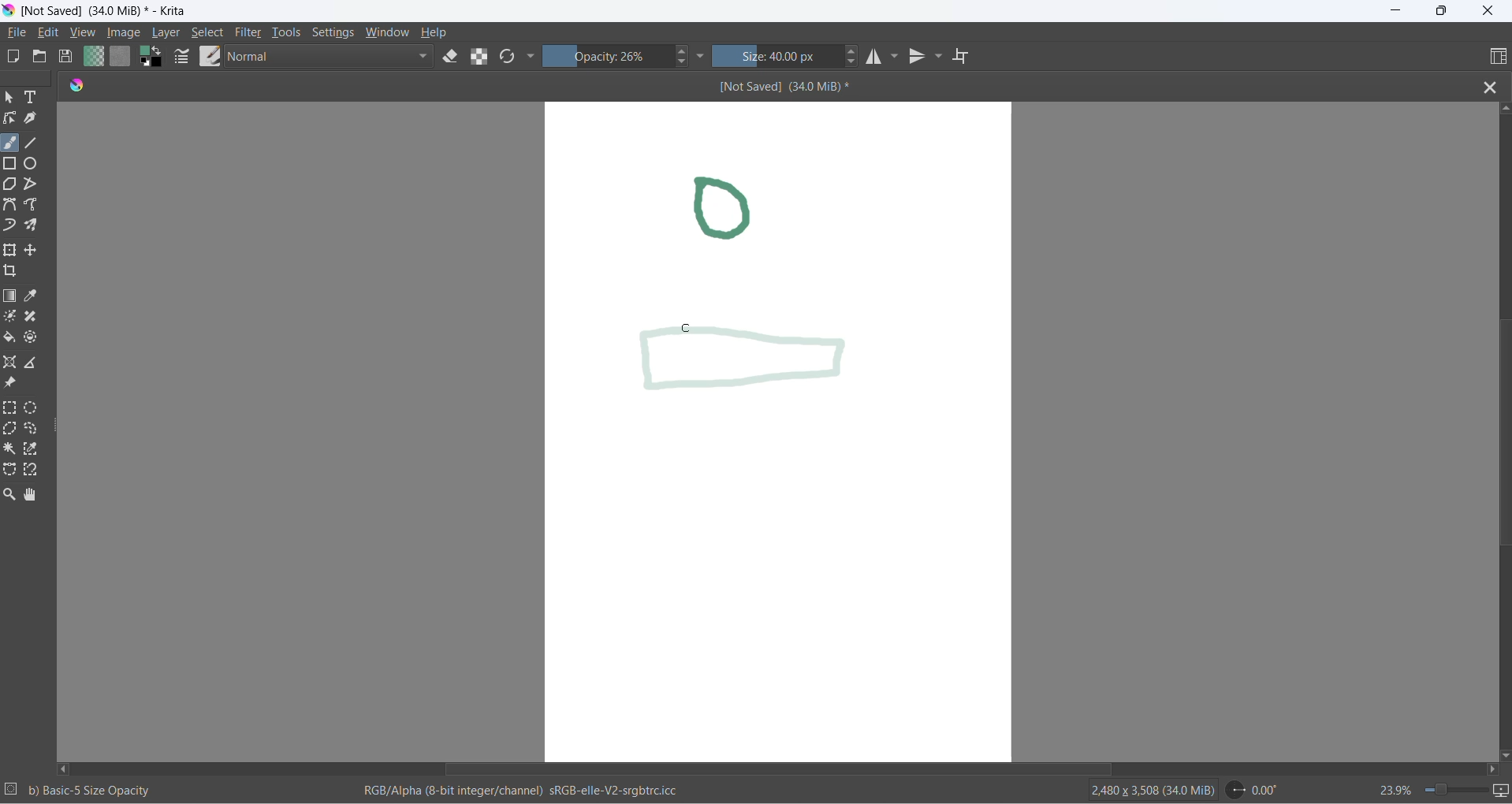 The height and width of the screenshot is (804, 1512). Describe the element at coordinates (12, 362) in the screenshot. I see `assistant tool` at that location.